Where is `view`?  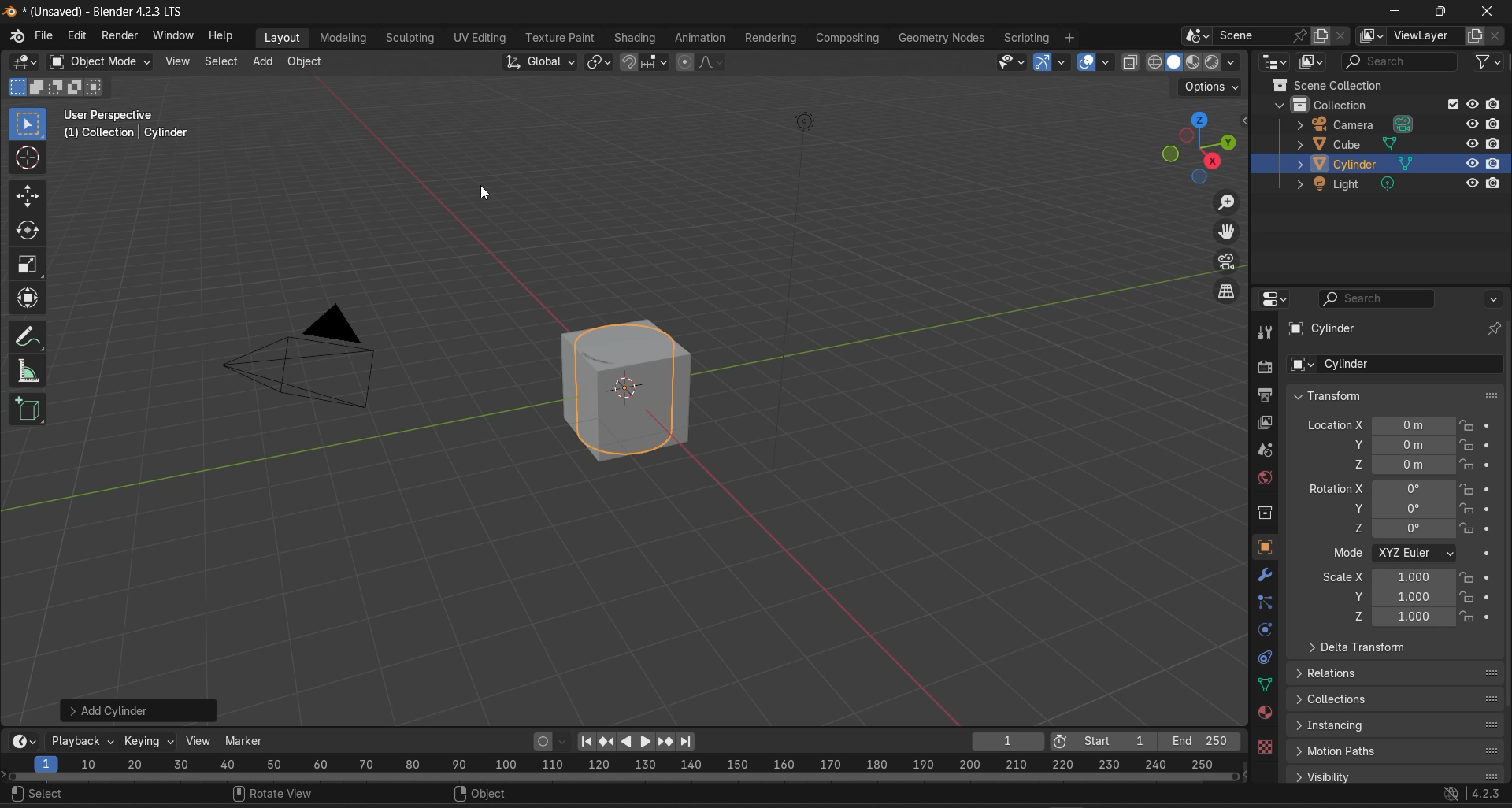 view is located at coordinates (198, 740).